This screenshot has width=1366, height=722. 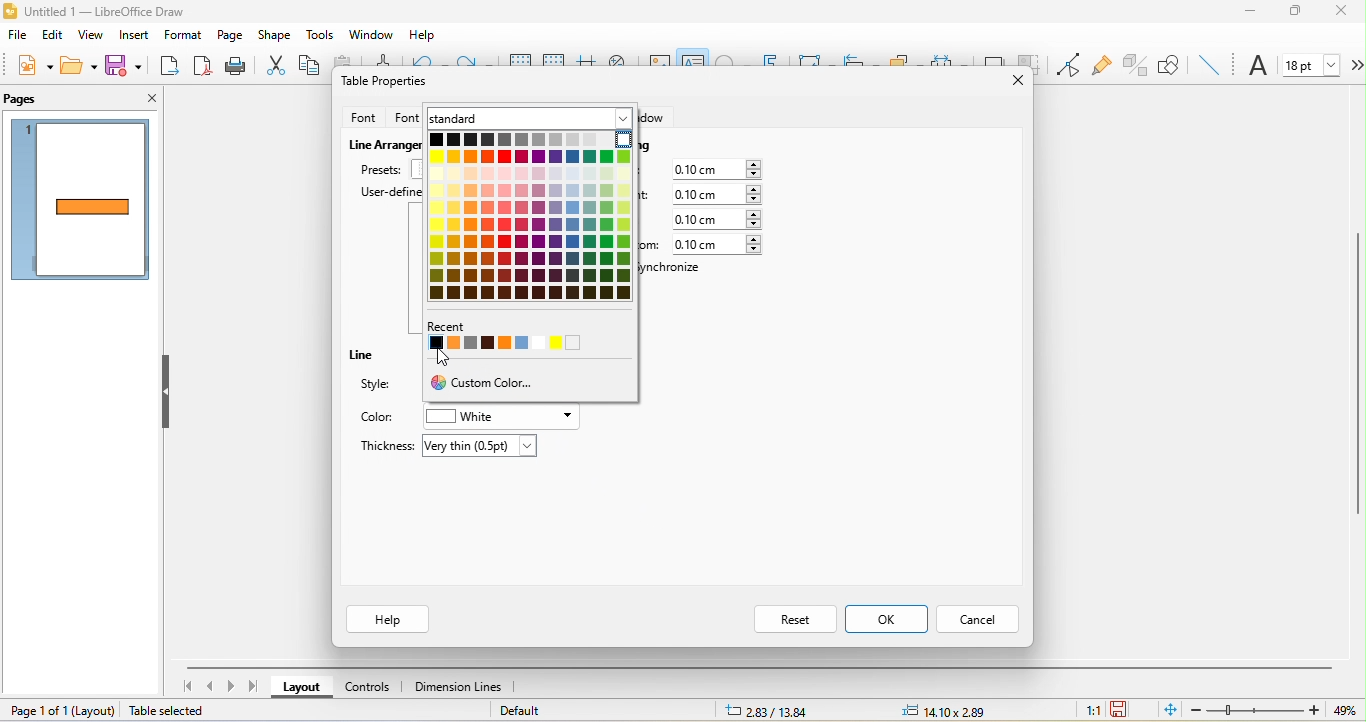 I want to click on zoom, so click(x=1254, y=711).